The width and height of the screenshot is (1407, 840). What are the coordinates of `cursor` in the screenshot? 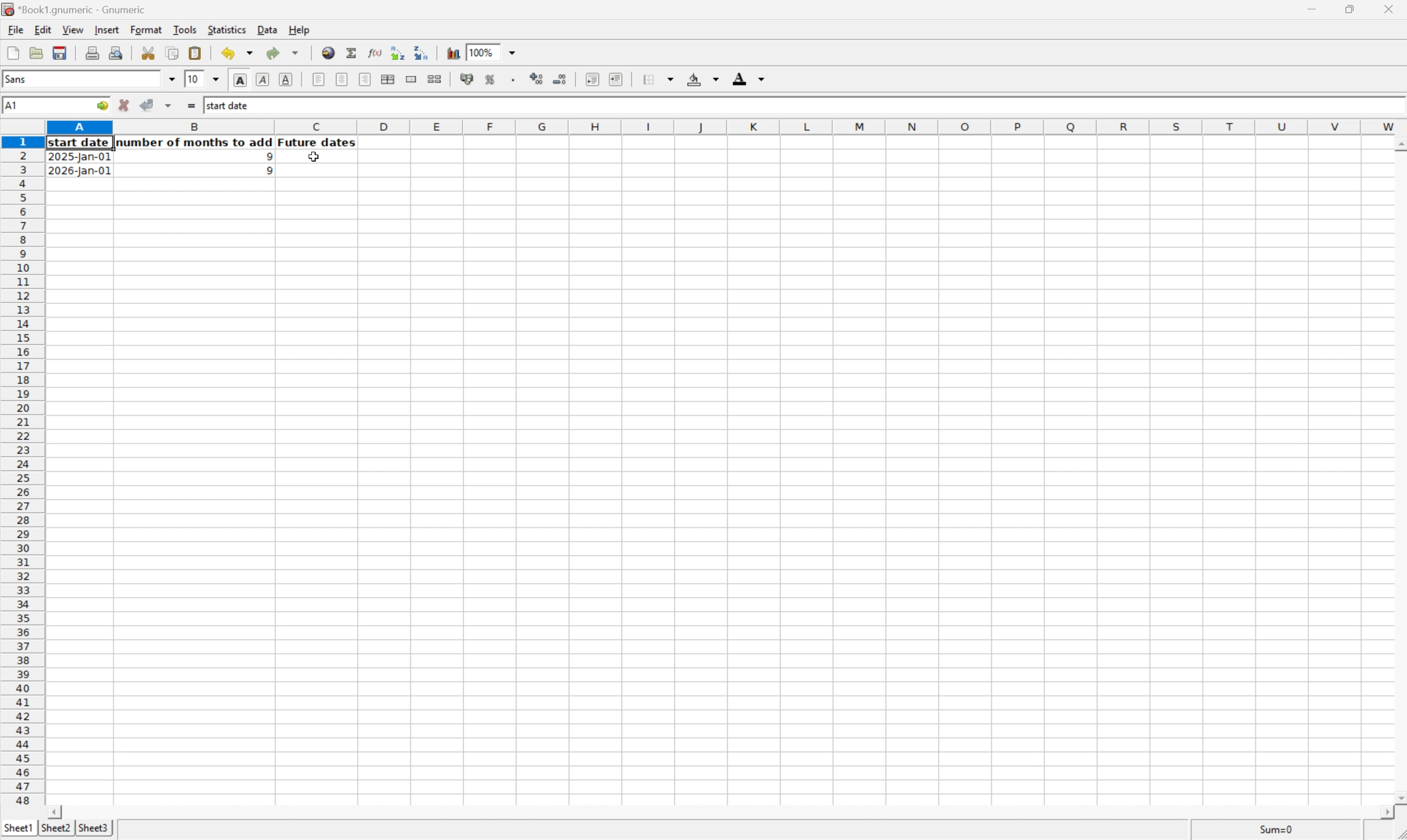 It's located at (313, 158).